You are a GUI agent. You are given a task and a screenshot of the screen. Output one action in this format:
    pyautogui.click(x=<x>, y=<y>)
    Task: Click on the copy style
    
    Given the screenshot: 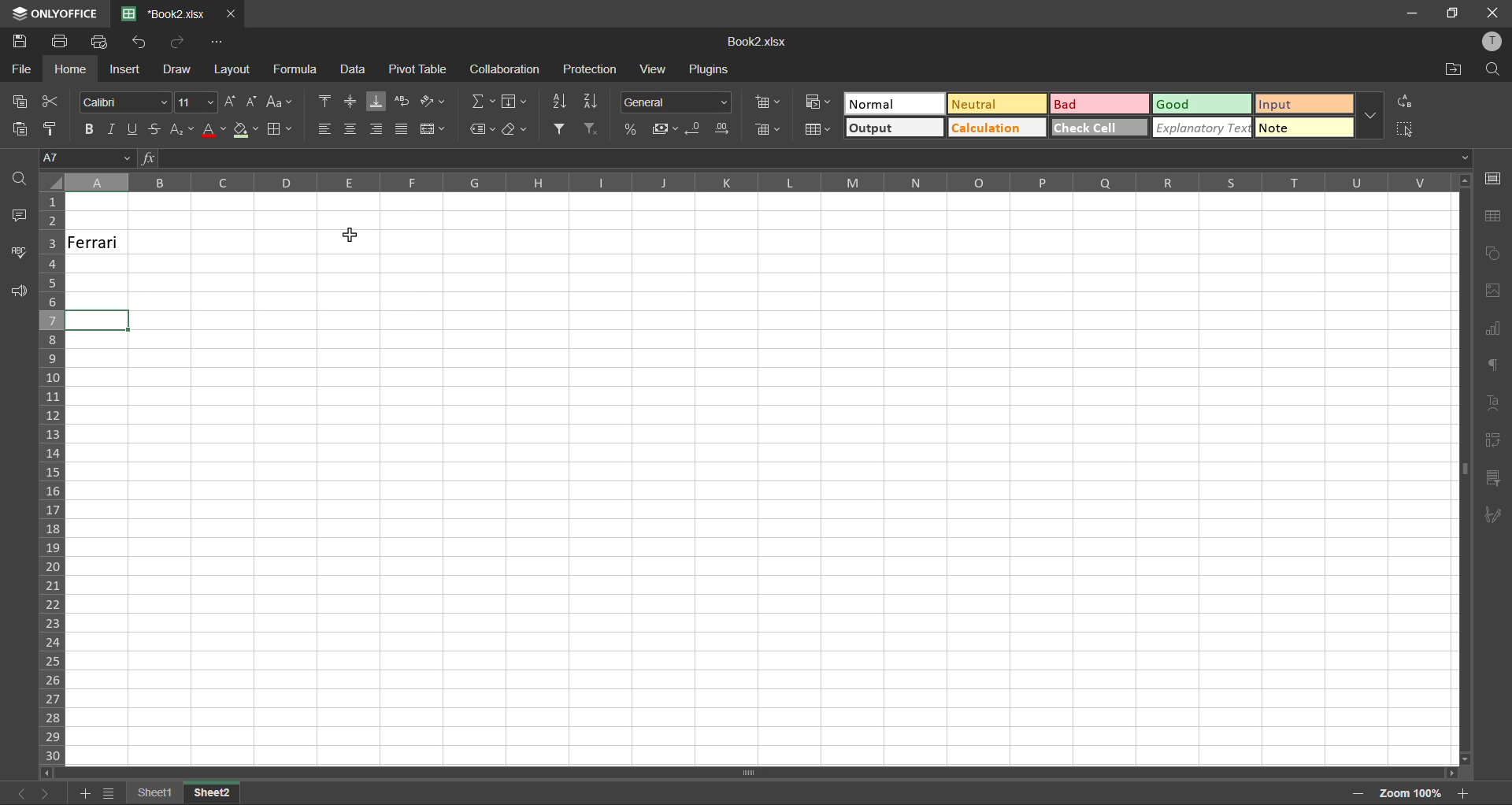 What is the action you would take?
    pyautogui.click(x=57, y=129)
    